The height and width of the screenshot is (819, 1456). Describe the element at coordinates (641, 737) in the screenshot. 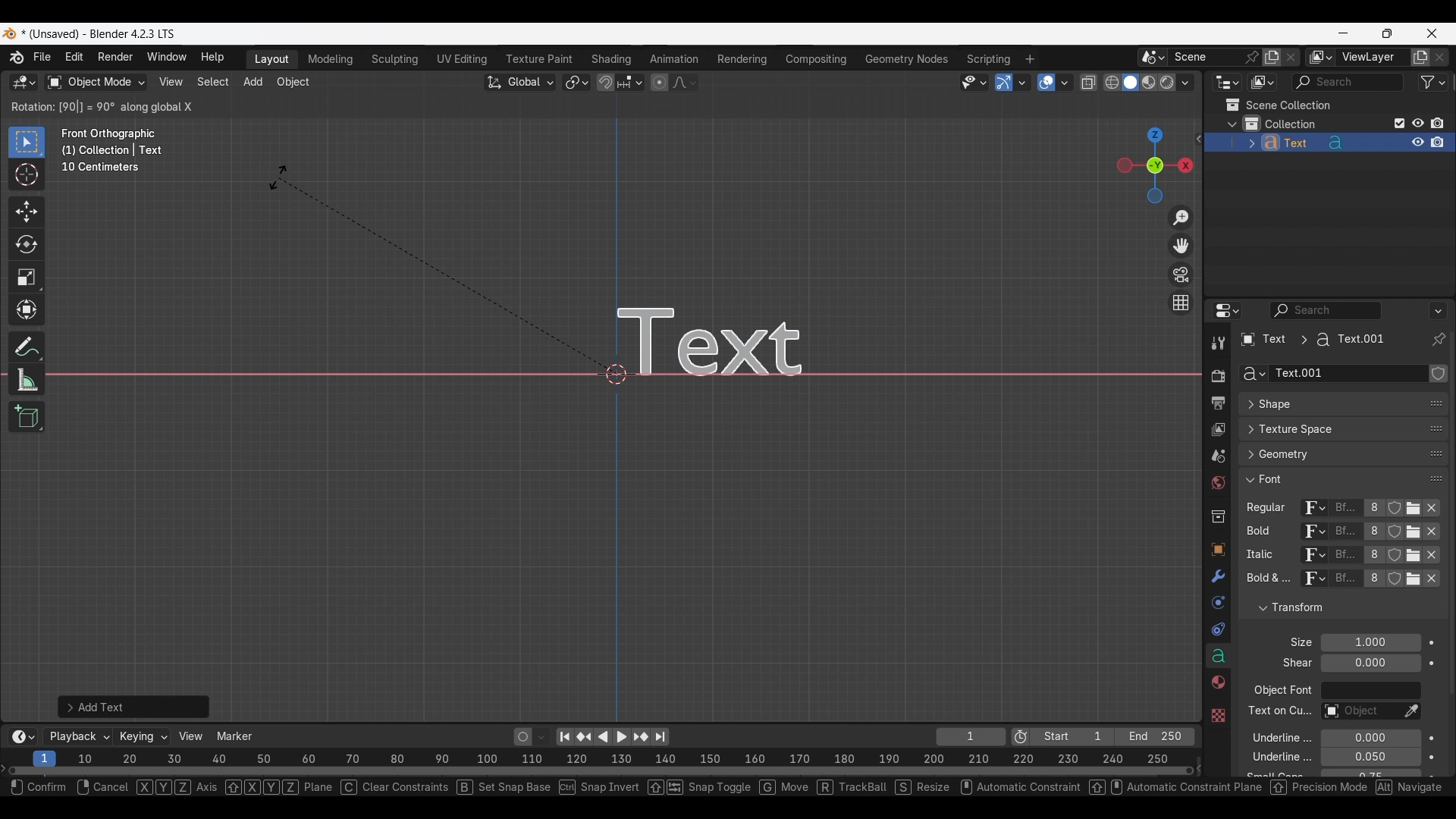

I see `Jump to key frame` at that location.